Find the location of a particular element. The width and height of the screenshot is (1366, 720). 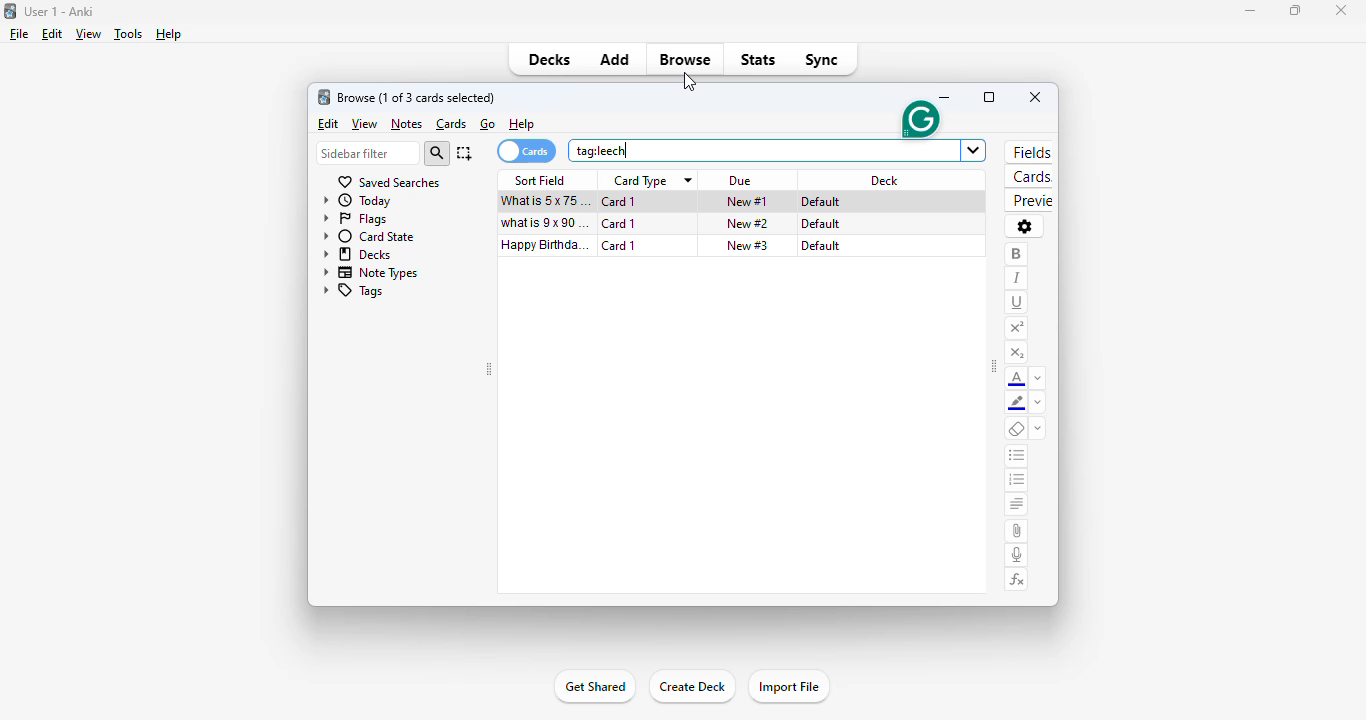

bold is located at coordinates (1018, 255).